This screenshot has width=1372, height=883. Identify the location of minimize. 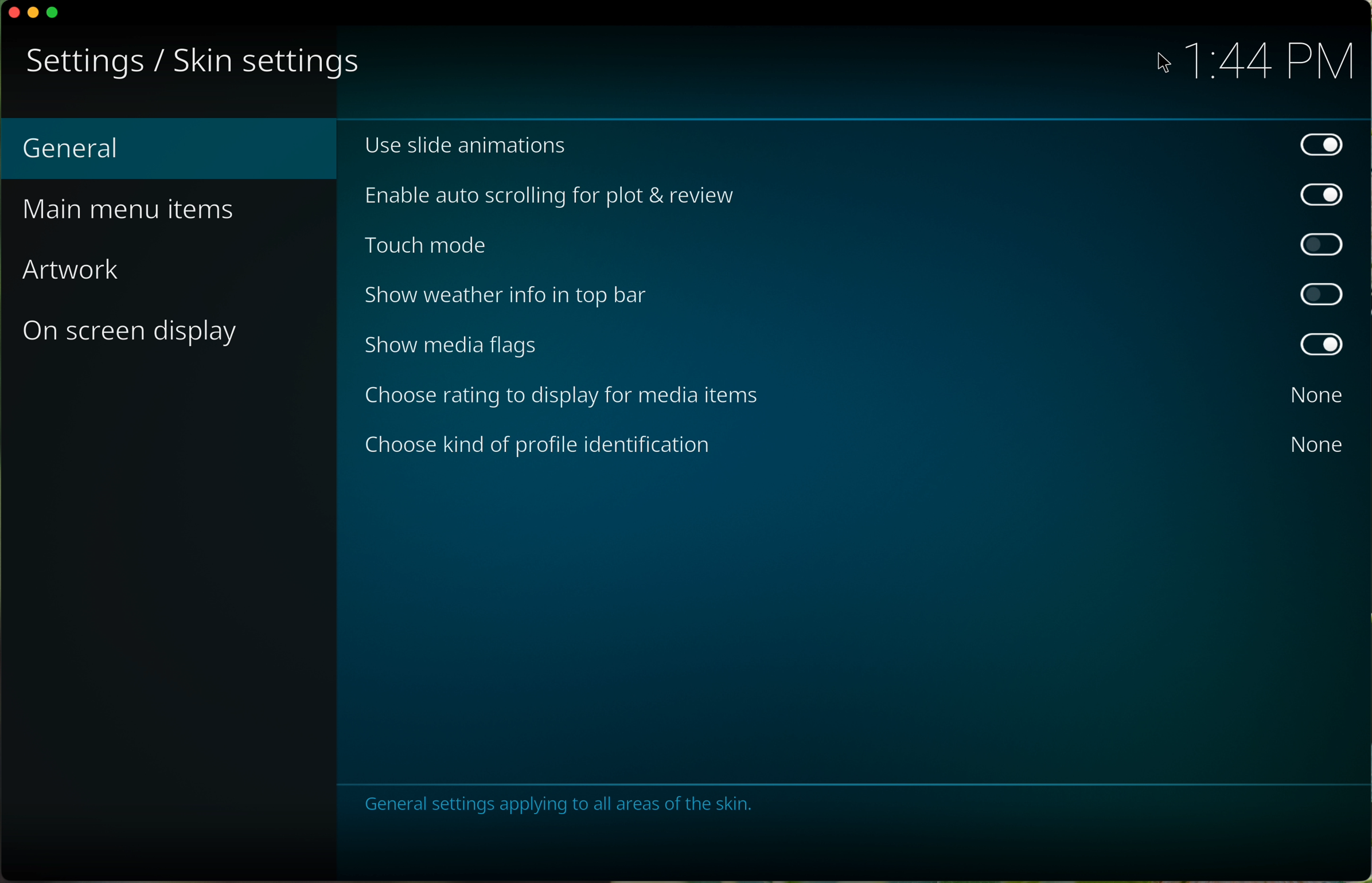
(32, 14).